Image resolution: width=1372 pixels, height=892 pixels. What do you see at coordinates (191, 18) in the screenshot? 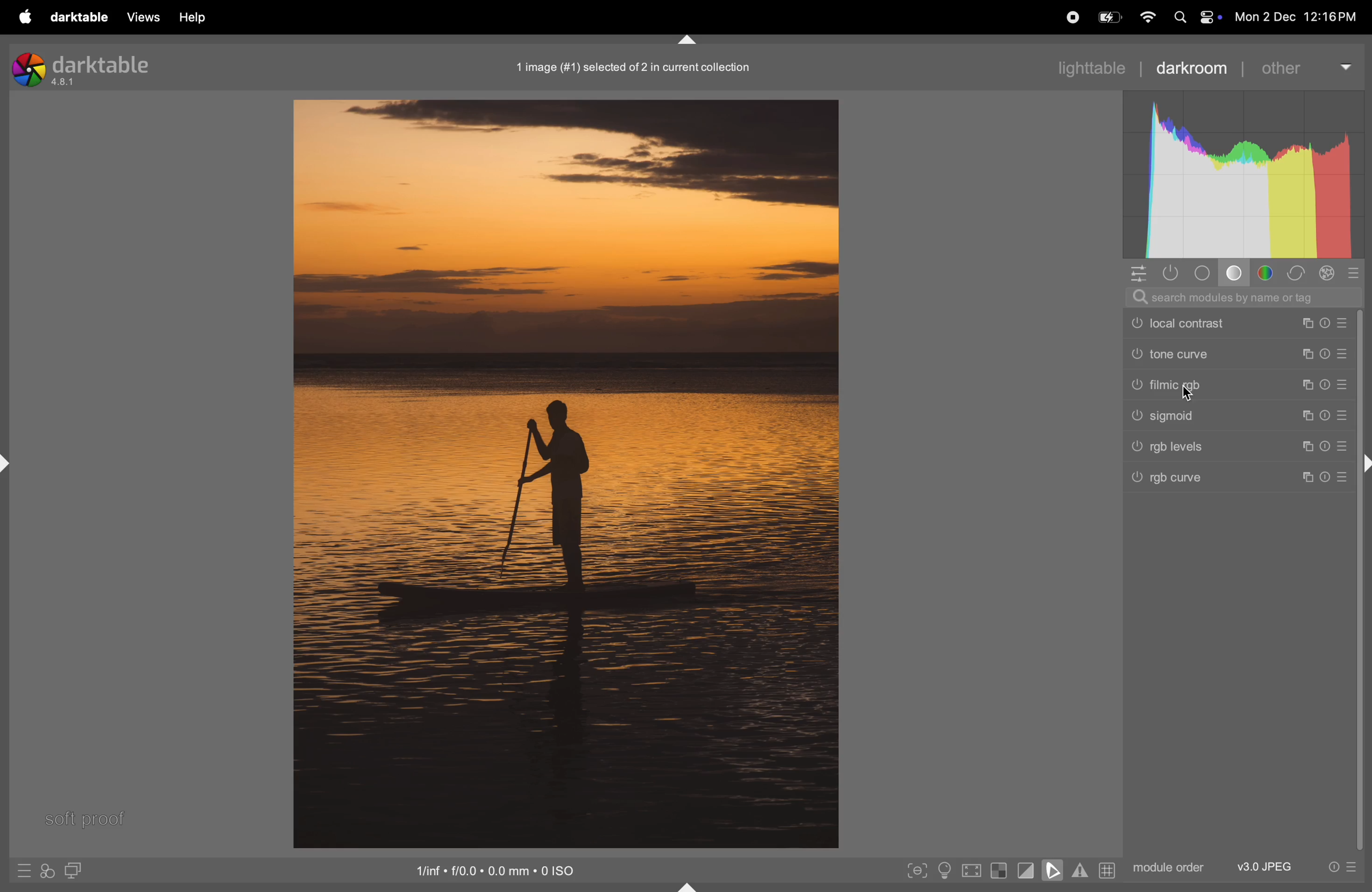
I see `help` at bounding box center [191, 18].